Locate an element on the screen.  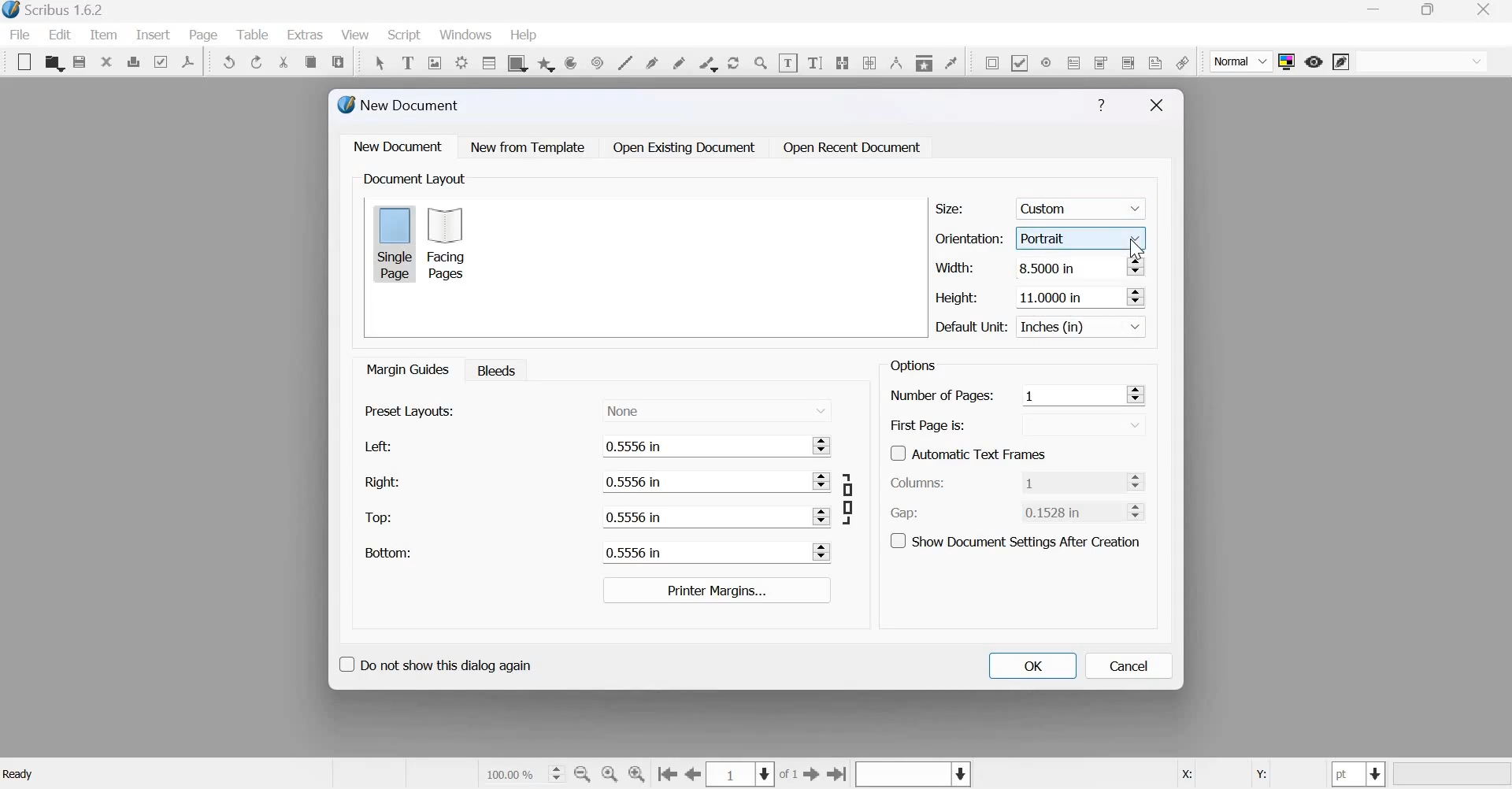
of 1 is located at coordinates (789, 775).